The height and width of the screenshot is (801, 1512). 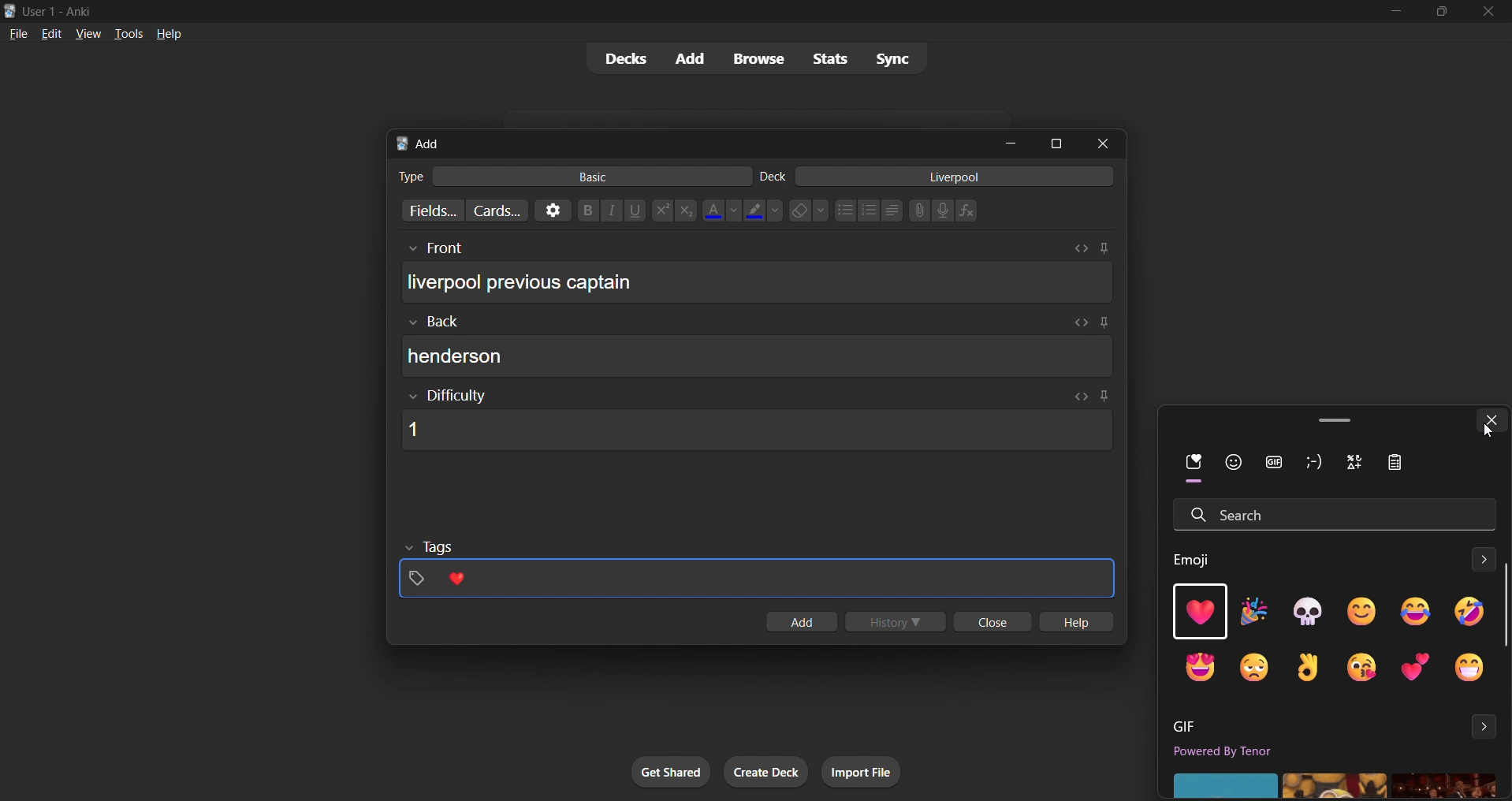 I want to click on view, so click(x=87, y=33).